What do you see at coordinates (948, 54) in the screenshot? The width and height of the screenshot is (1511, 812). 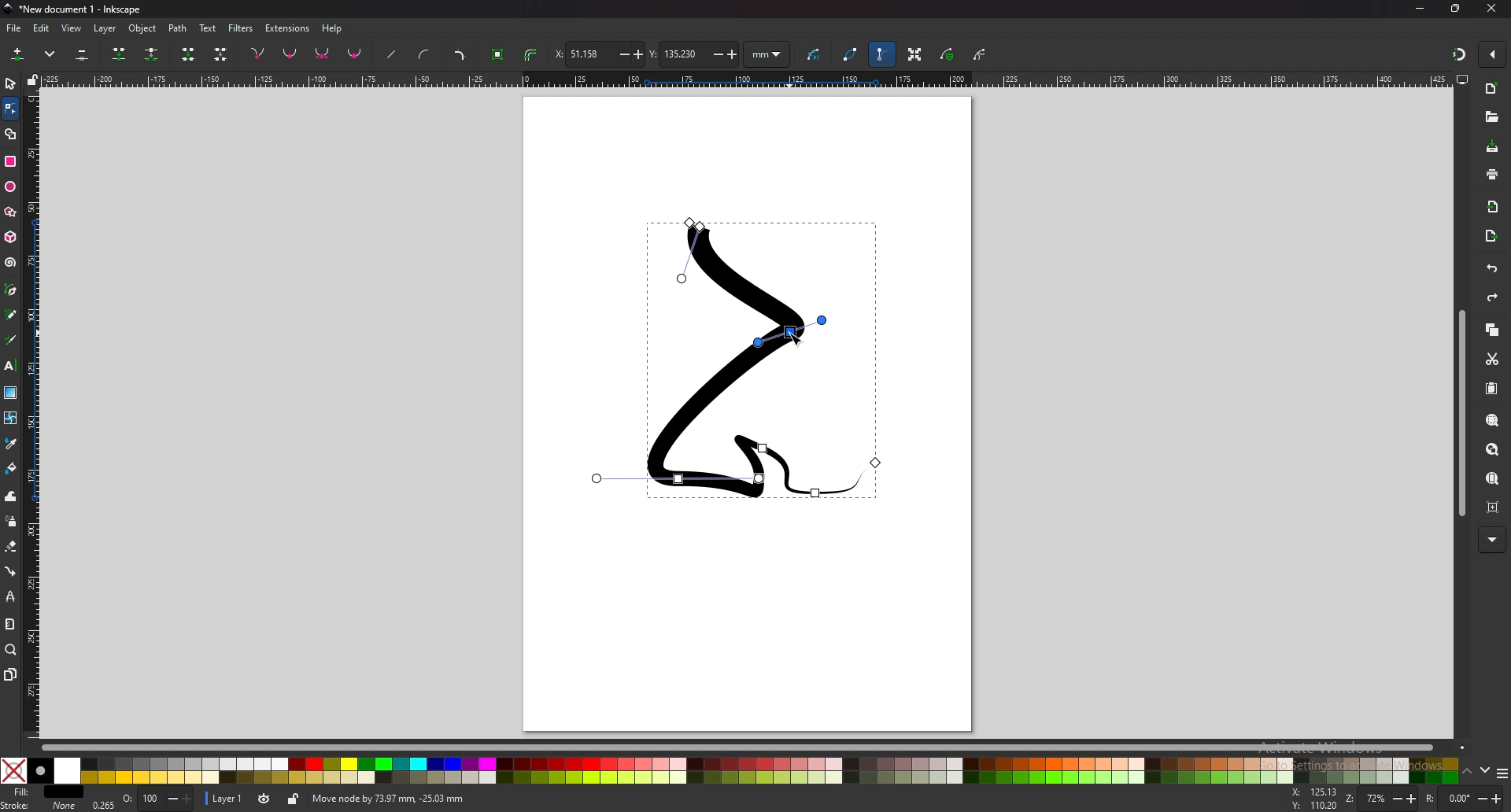 I see `show mask` at bounding box center [948, 54].